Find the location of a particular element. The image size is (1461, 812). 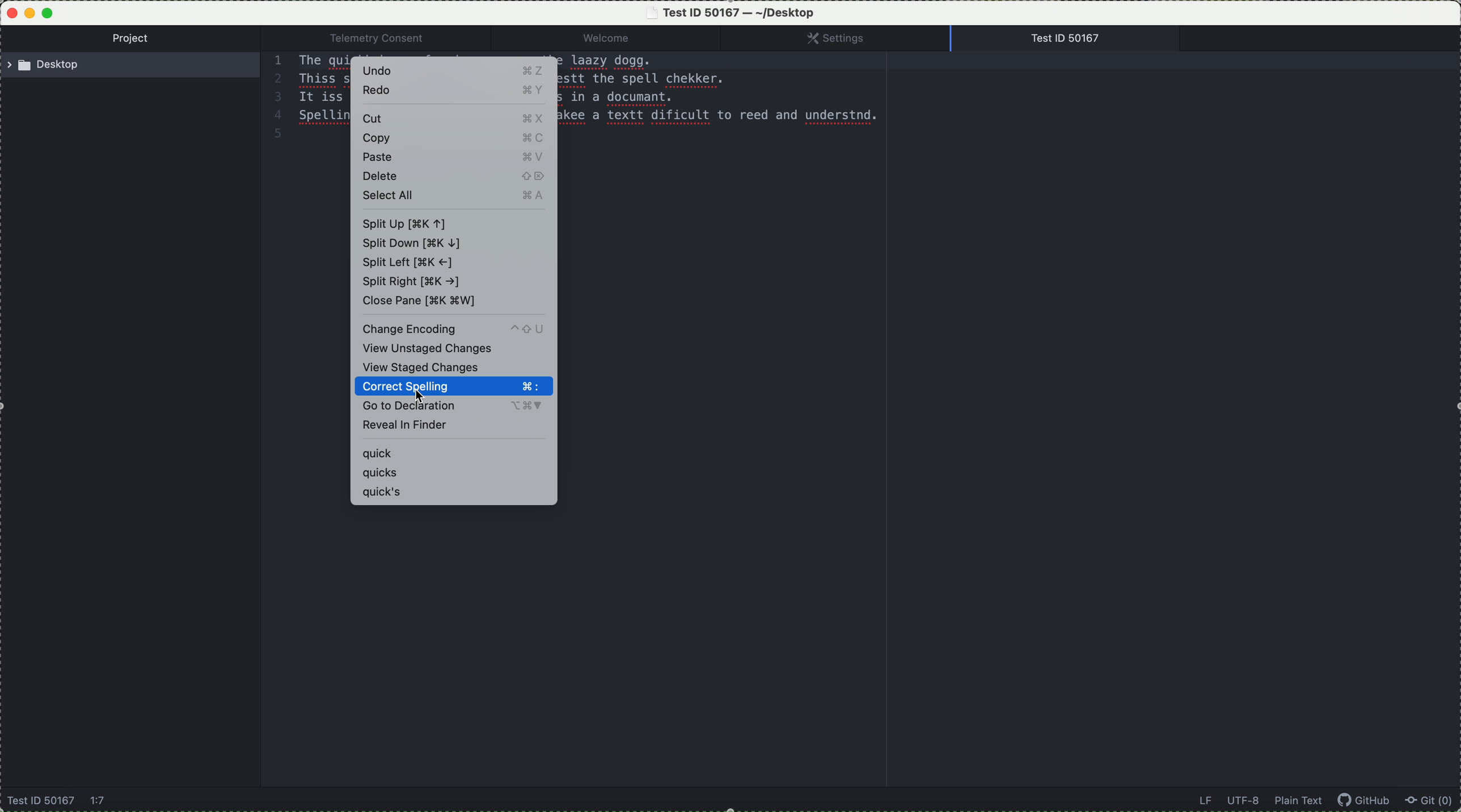

click on correct spelling is located at coordinates (455, 387).